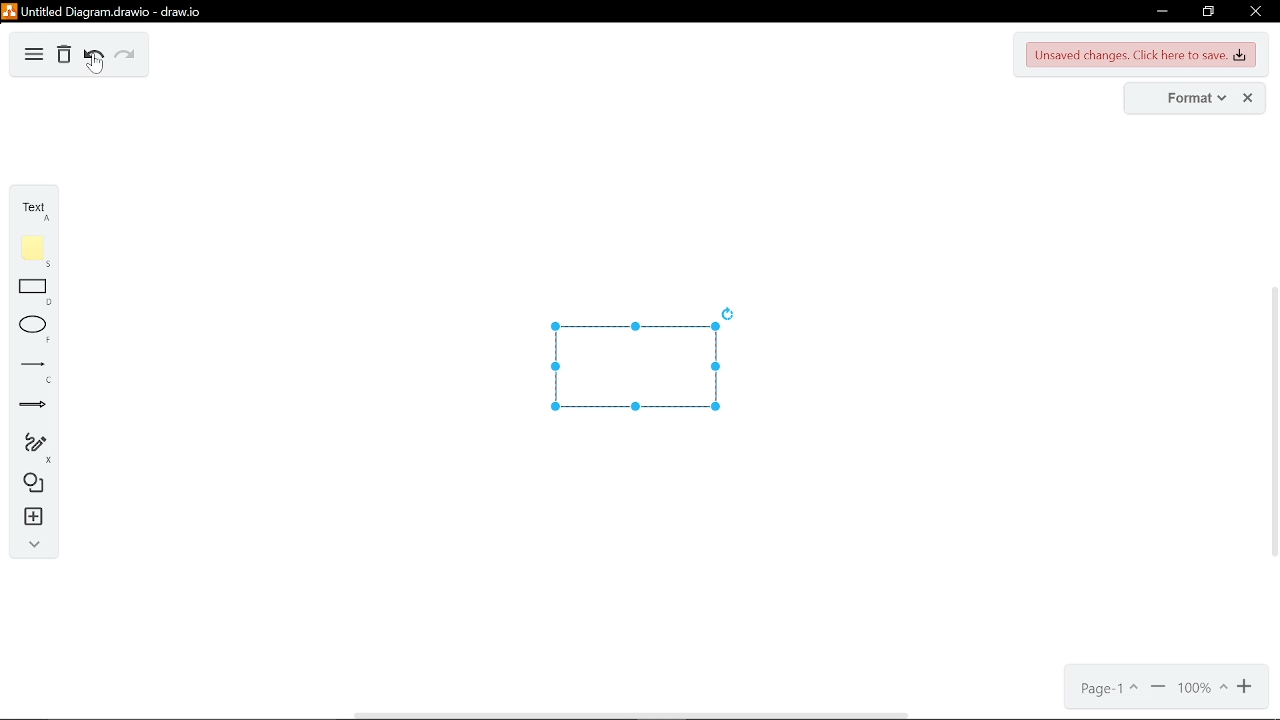  What do you see at coordinates (34, 54) in the screenshot?
I see `diagram` at bounding box center [34, 54].